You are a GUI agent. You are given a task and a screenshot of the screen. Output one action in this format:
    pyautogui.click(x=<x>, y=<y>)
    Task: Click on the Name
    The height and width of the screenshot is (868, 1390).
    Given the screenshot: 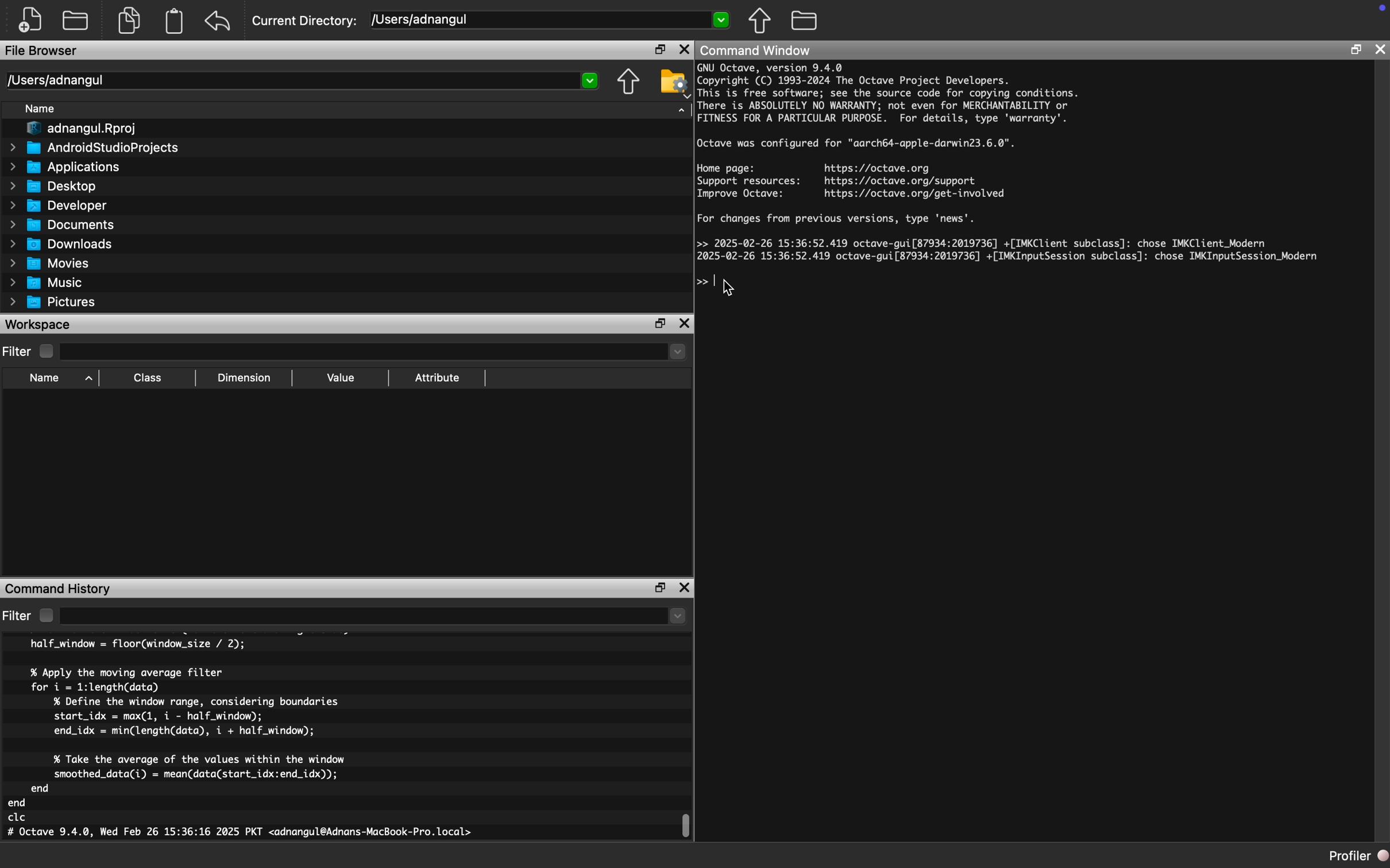 What is the action you would take?
    pyautogui.click(x=46, y=379)
    